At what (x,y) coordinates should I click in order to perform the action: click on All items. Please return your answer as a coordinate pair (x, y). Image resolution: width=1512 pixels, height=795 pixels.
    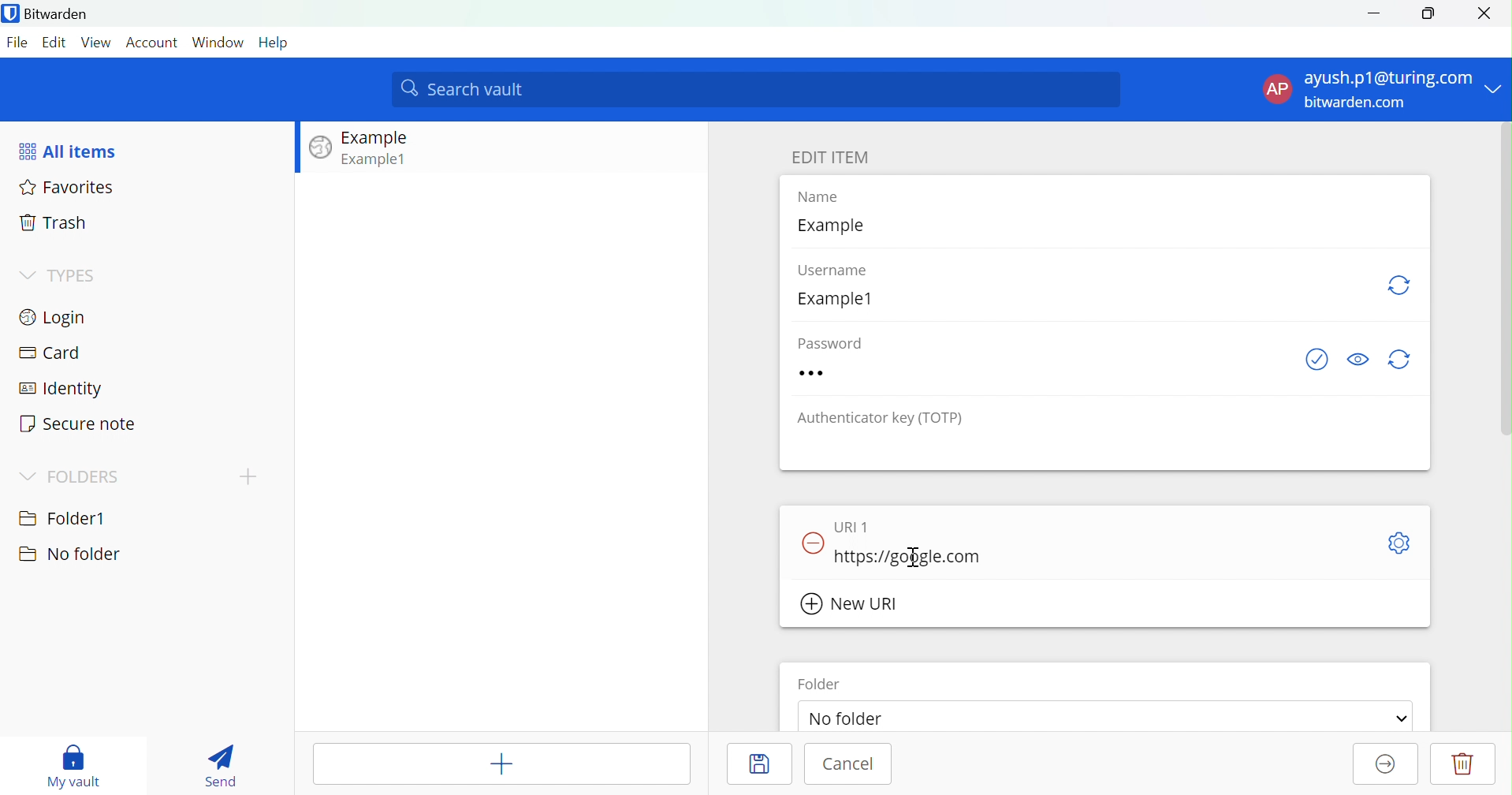
    Looking at the image, I should click on (70, 151).